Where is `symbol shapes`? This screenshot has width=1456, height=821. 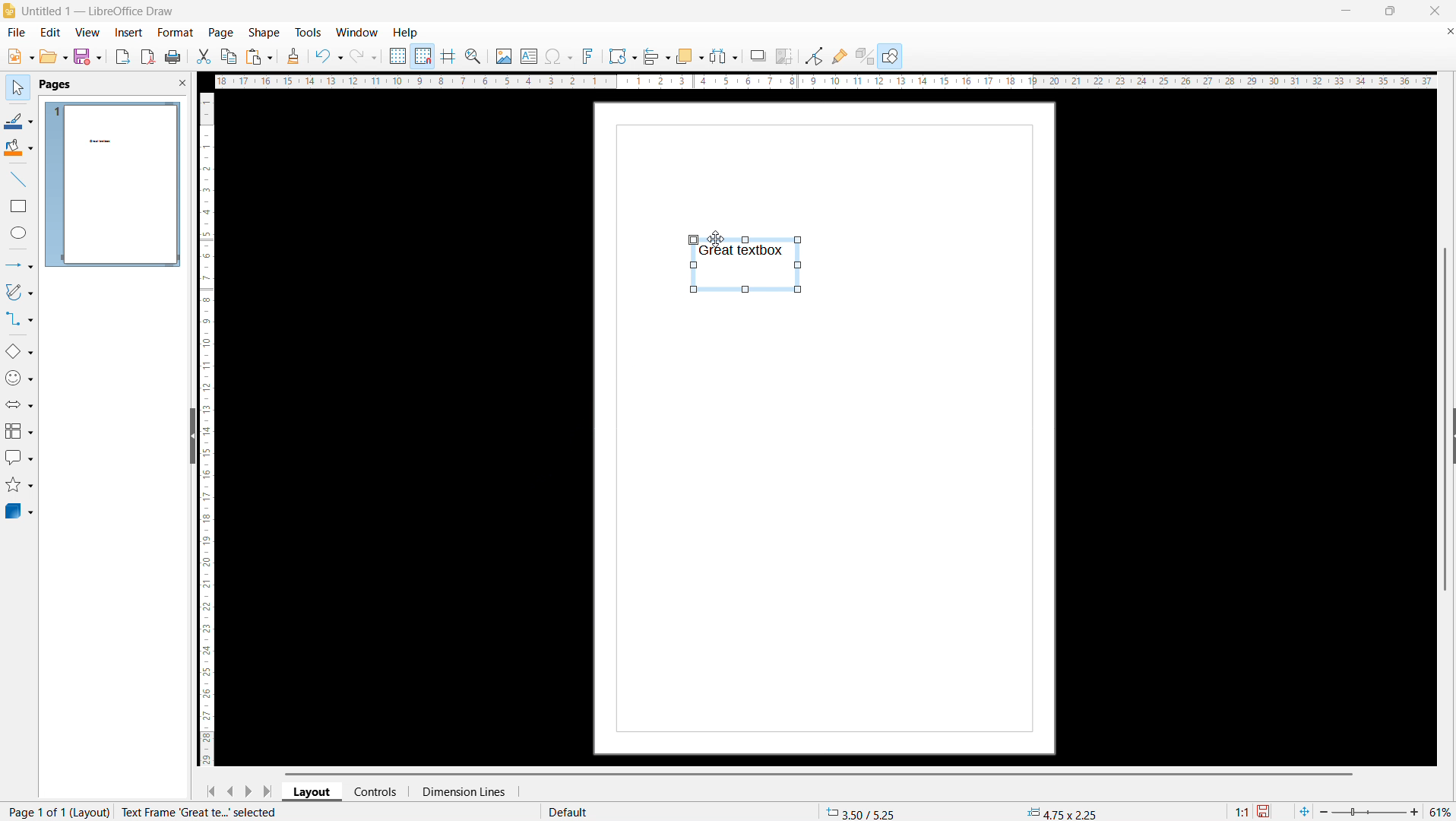
symbol shapes is located at coordinates (19, 378).